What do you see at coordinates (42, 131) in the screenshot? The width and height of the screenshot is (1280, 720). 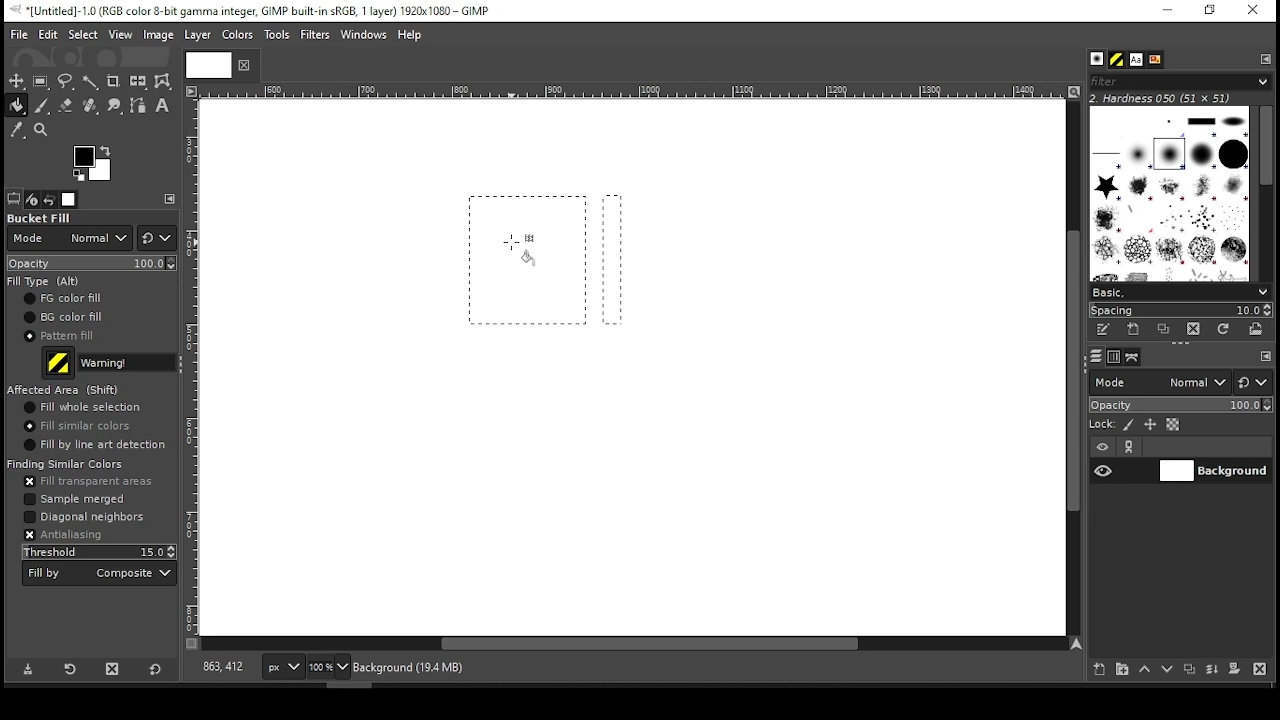 I see `zoom tool` at bounding box center [42, 131].